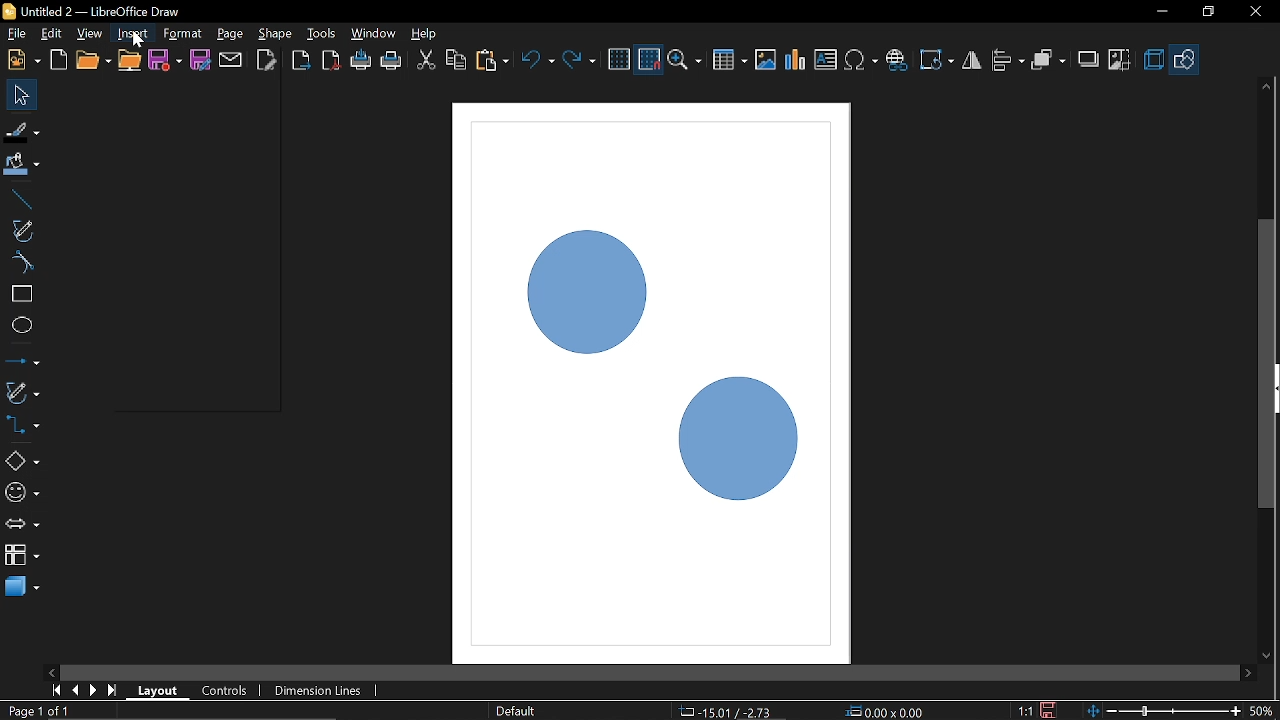 The width and height of the screenshot is (1280, 720). What do you see at coordinates (332, 62) in the screenshot?
I see `Export directly as pdf` at bounding box center [332, 62].